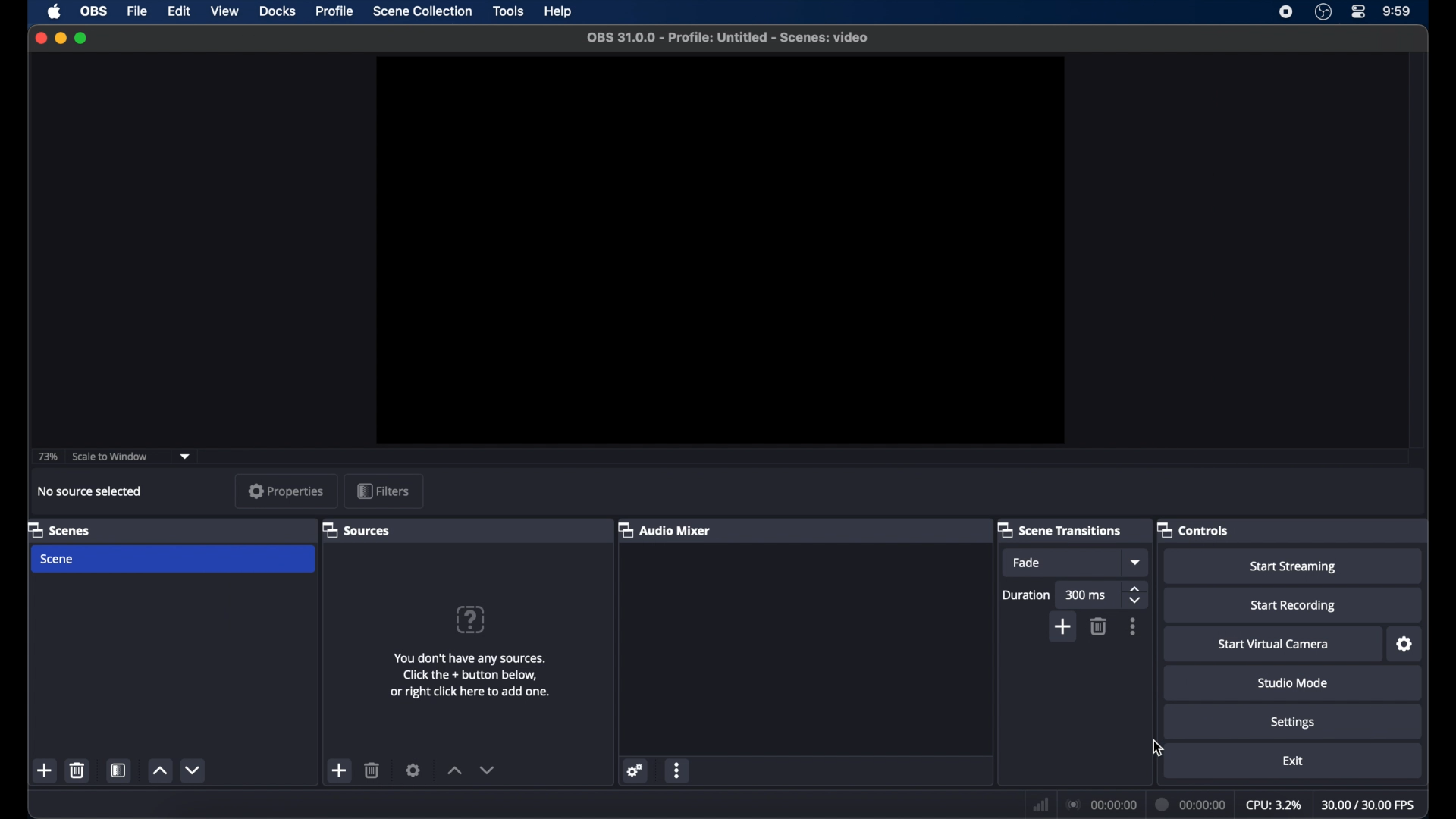  What do you see at coordinates (185, 455) in the screenshot?
I see `dropdown` at bounding box center [185, 455].